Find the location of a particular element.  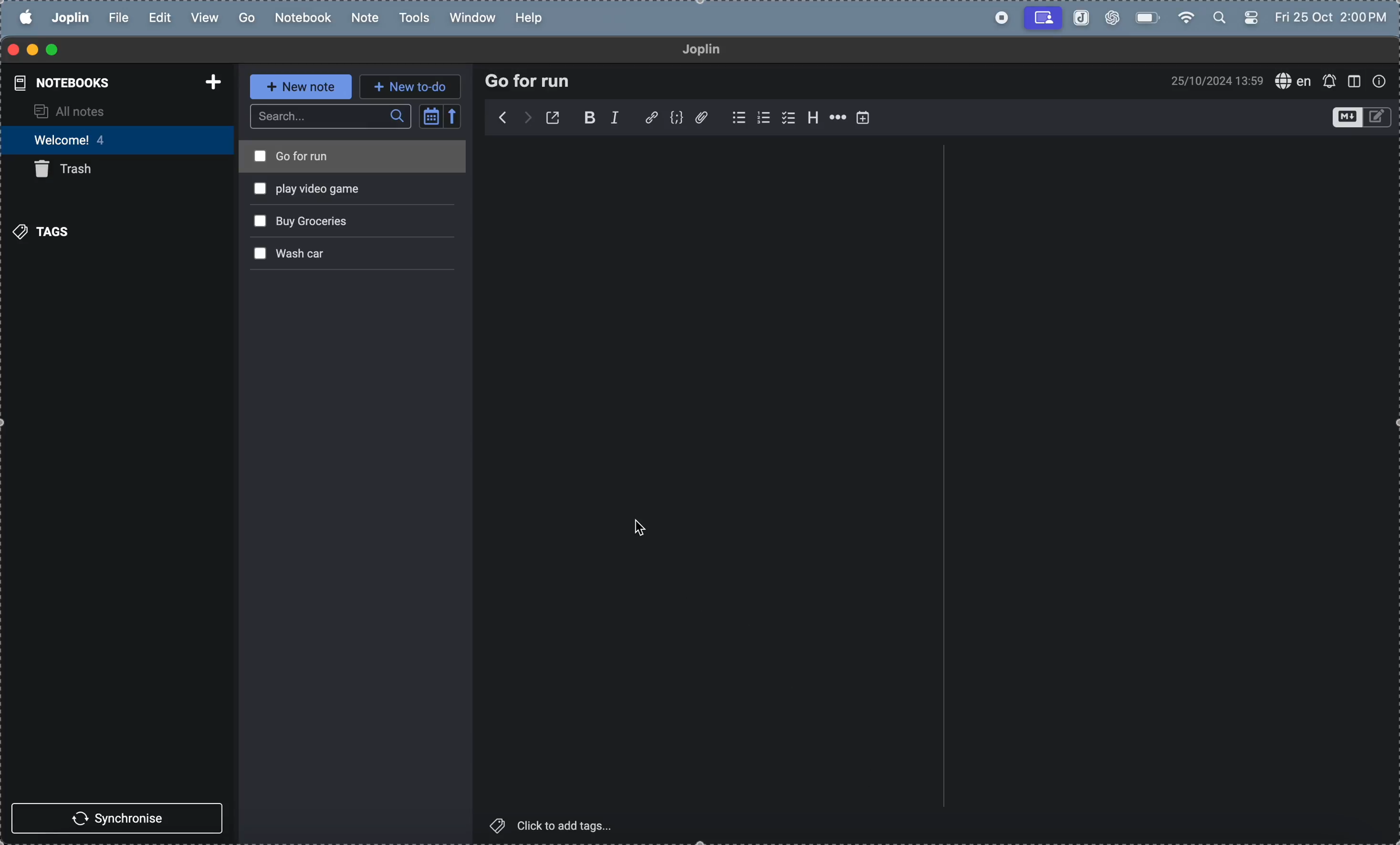

tags is located at coordinates (43, 230).